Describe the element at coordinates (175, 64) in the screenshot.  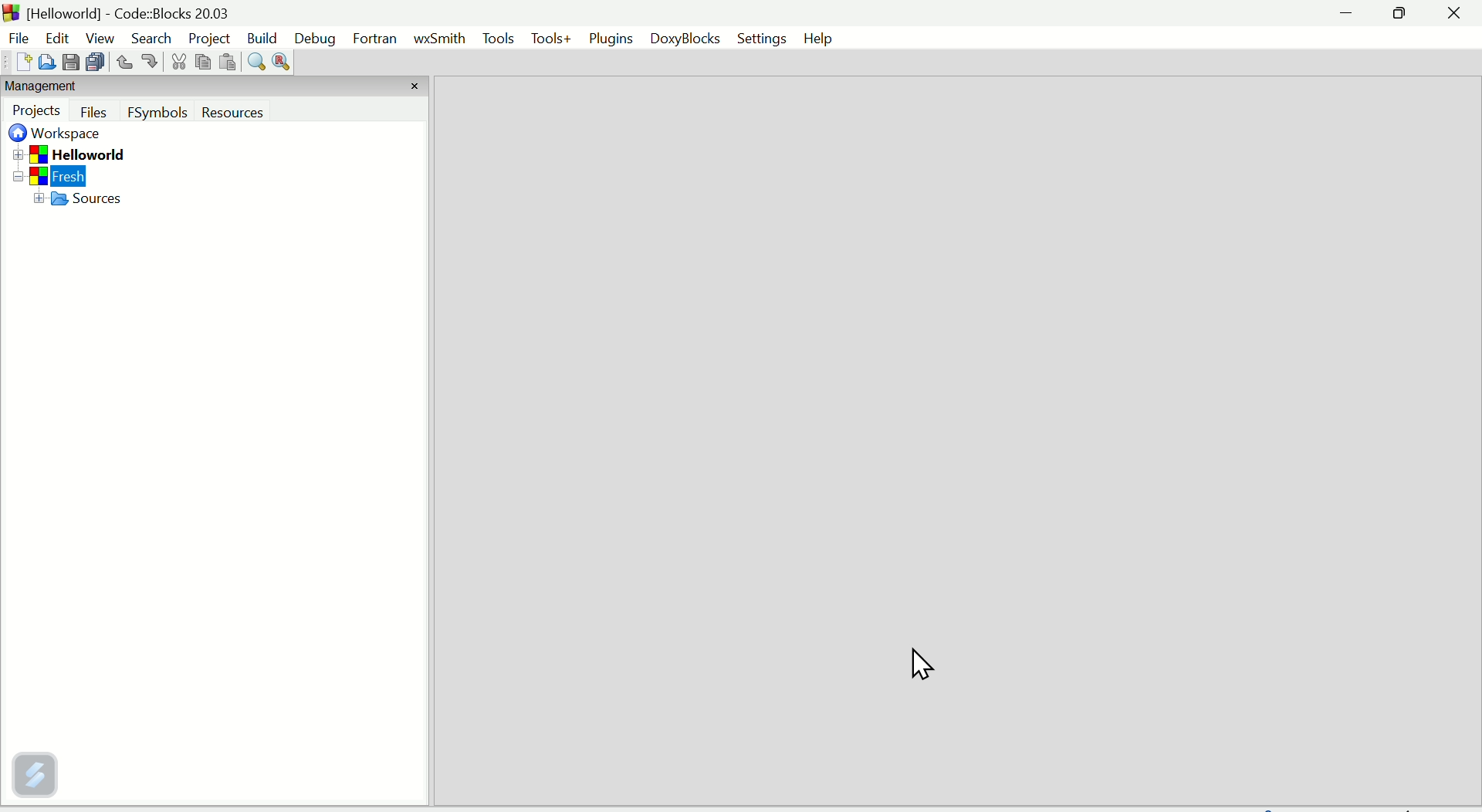
I see `Cut` at that location.